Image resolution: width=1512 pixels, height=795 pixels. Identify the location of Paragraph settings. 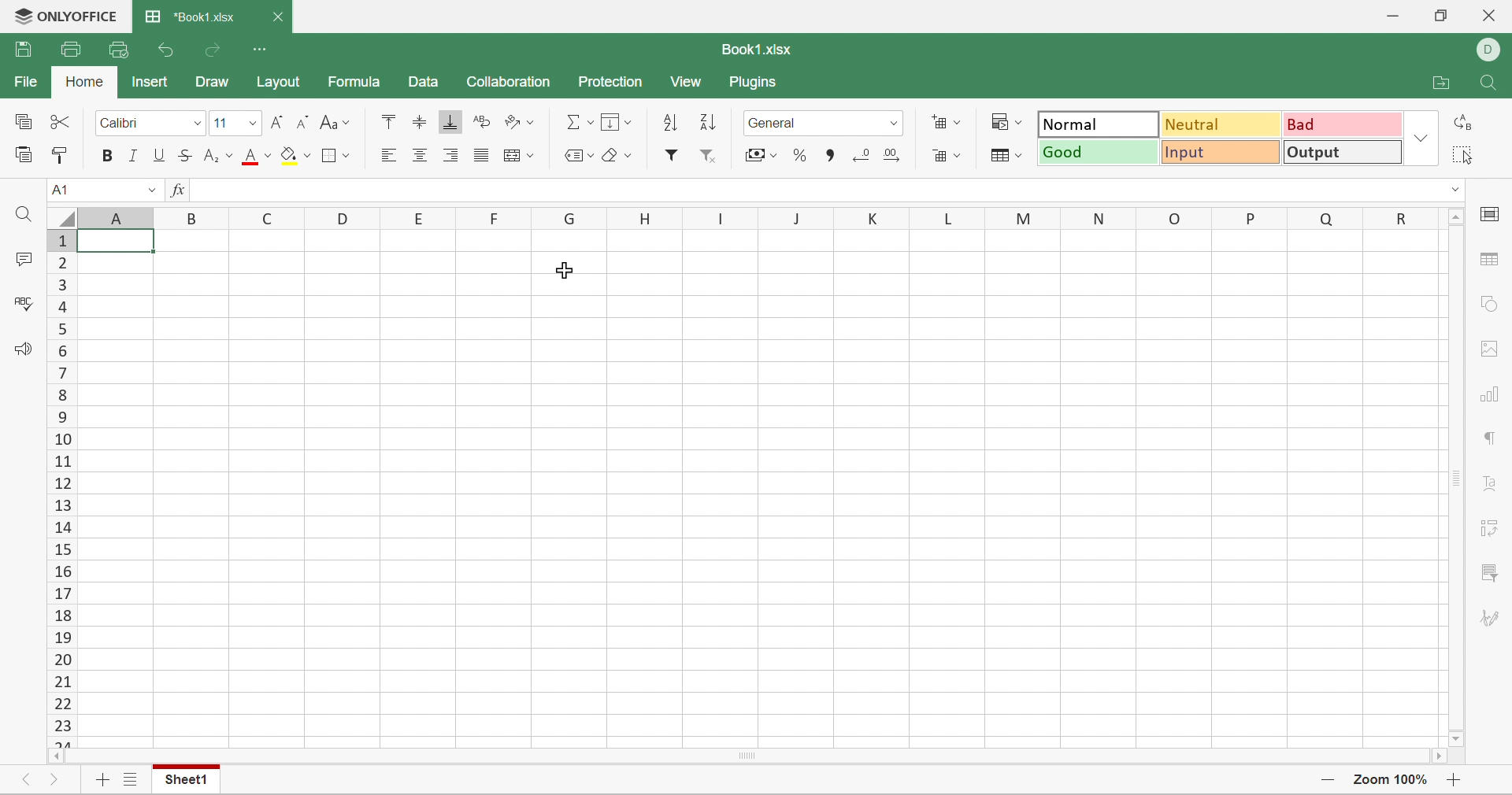
(1488, 438).